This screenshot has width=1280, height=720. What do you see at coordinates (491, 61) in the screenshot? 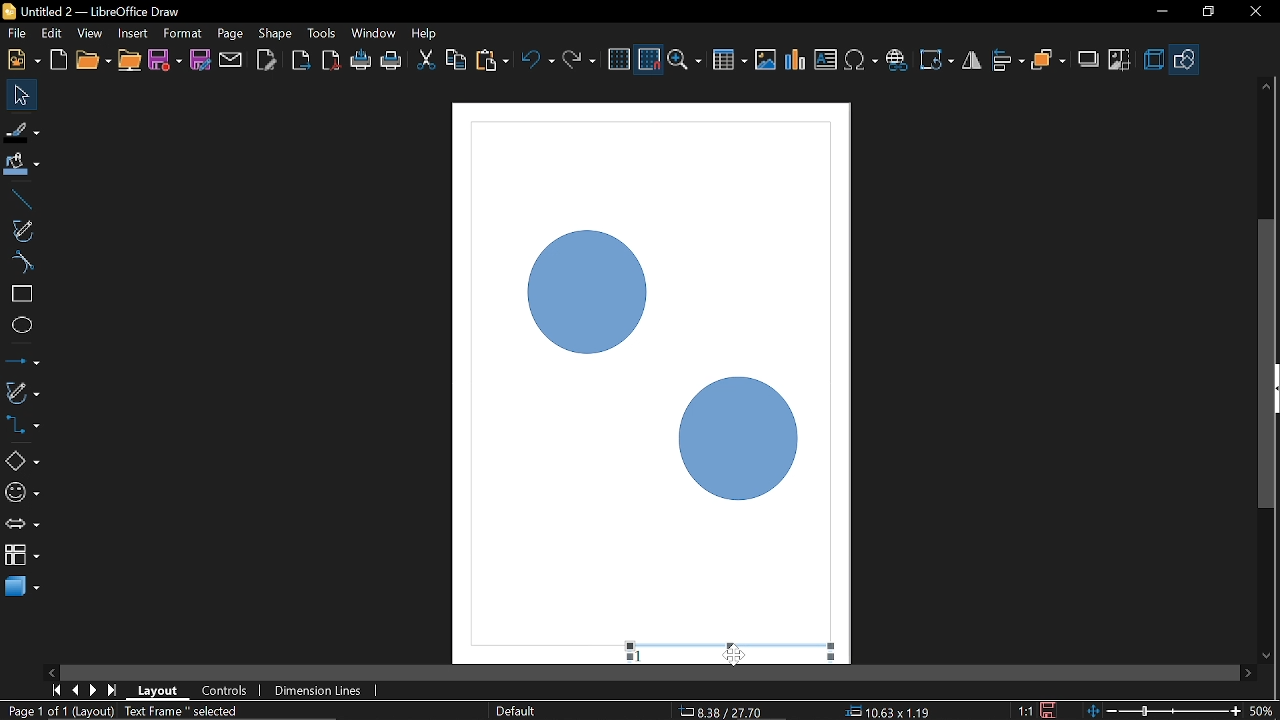
I see `Paste` at bounding box center [491, 61].